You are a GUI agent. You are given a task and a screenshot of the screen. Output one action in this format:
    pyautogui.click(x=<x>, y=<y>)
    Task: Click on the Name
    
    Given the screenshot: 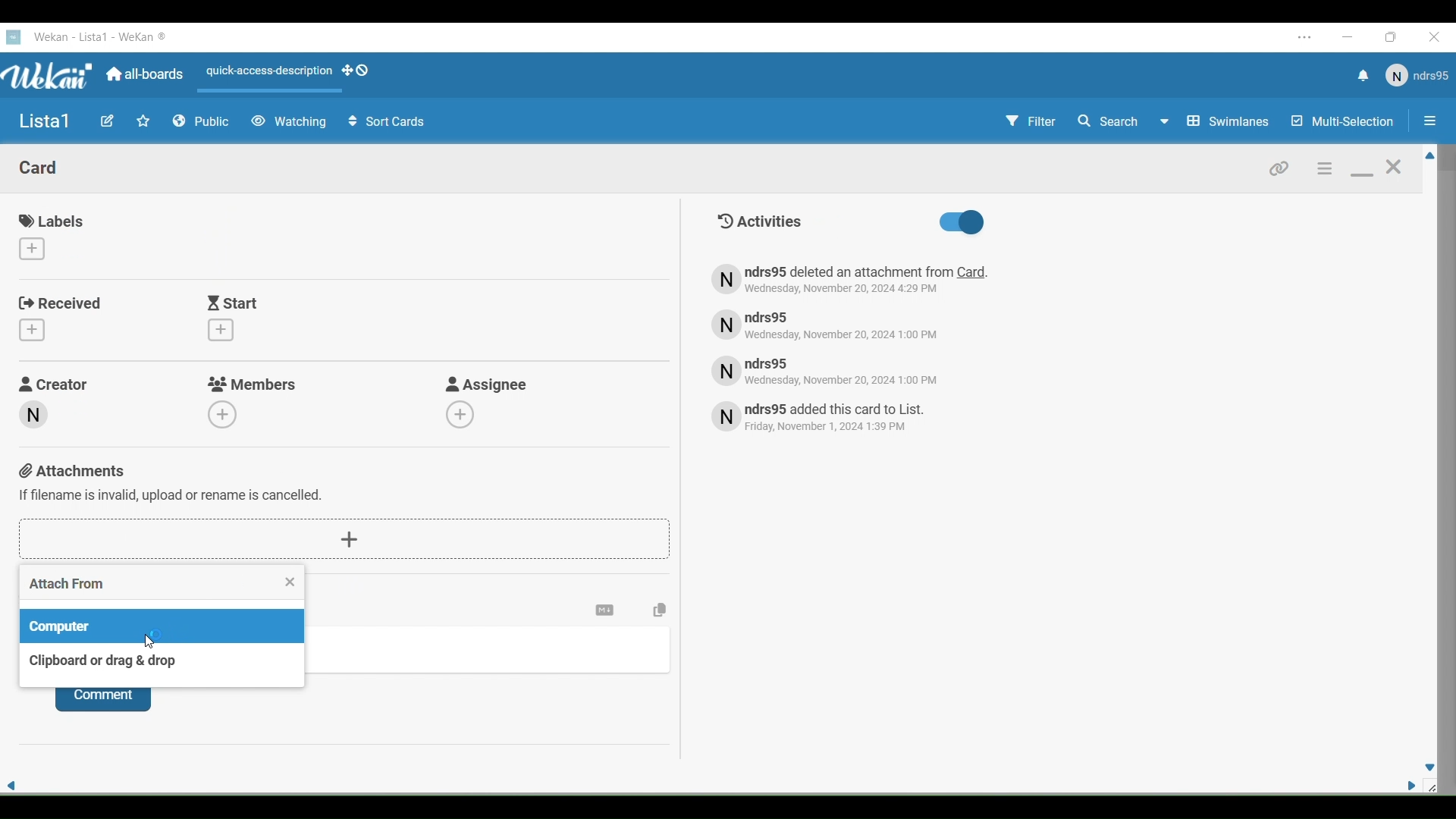 What is the action you would take?
    pyautogui.click(x=45, y=122)
    